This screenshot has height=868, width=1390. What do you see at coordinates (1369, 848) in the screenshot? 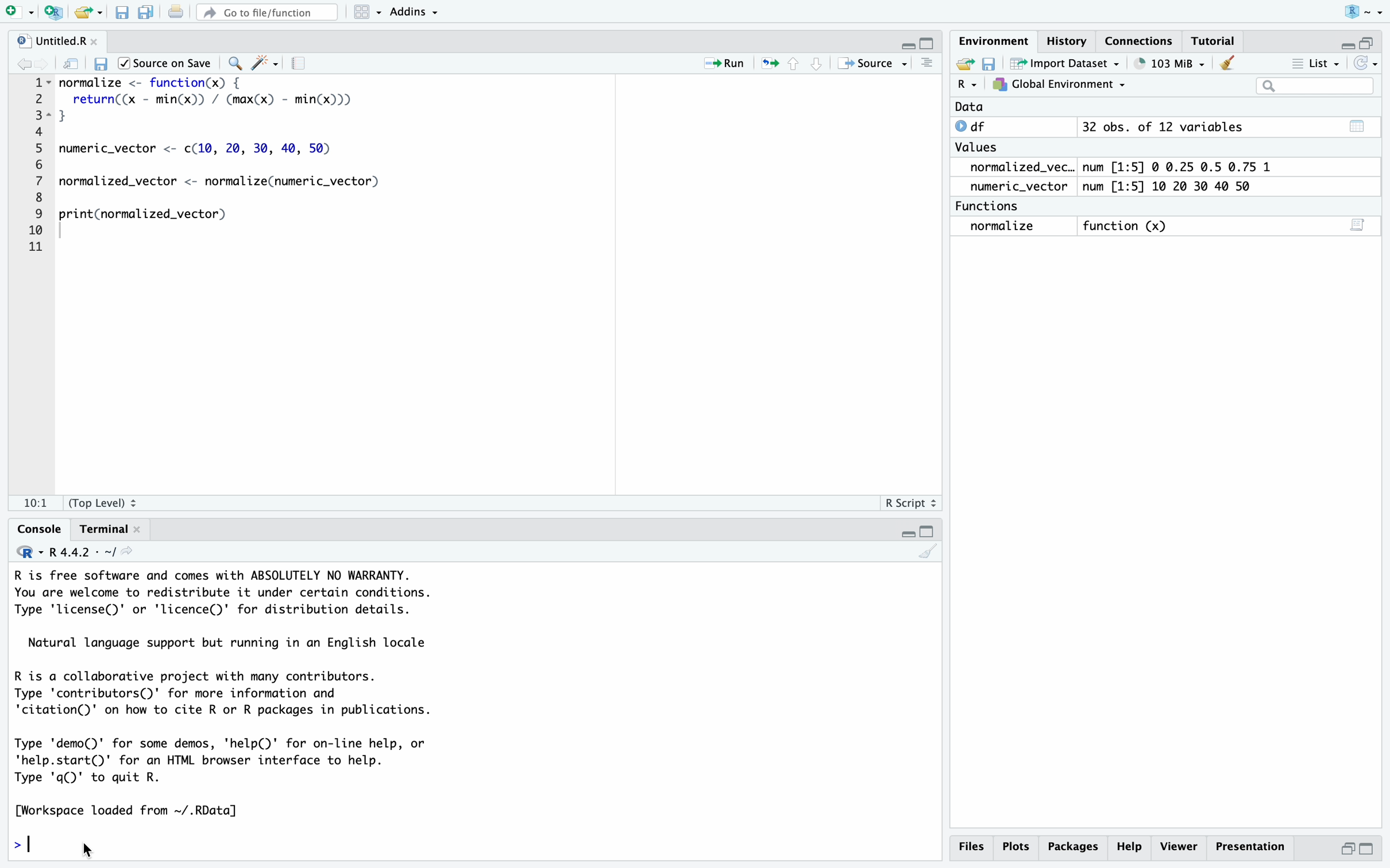
I see `Maximize` at bounding box center [1369, 848].